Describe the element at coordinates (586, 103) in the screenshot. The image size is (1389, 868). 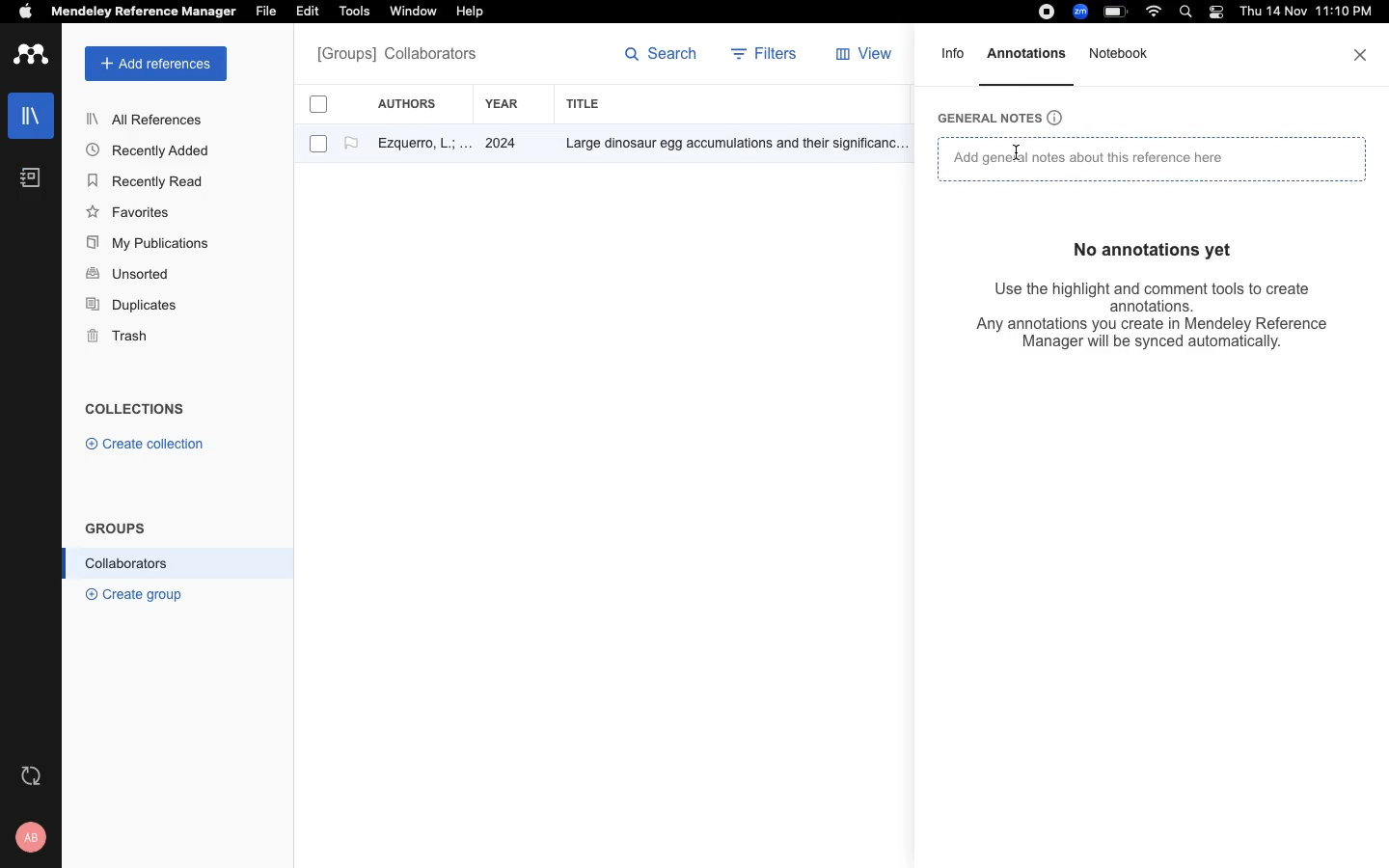
I see `title` at that location.